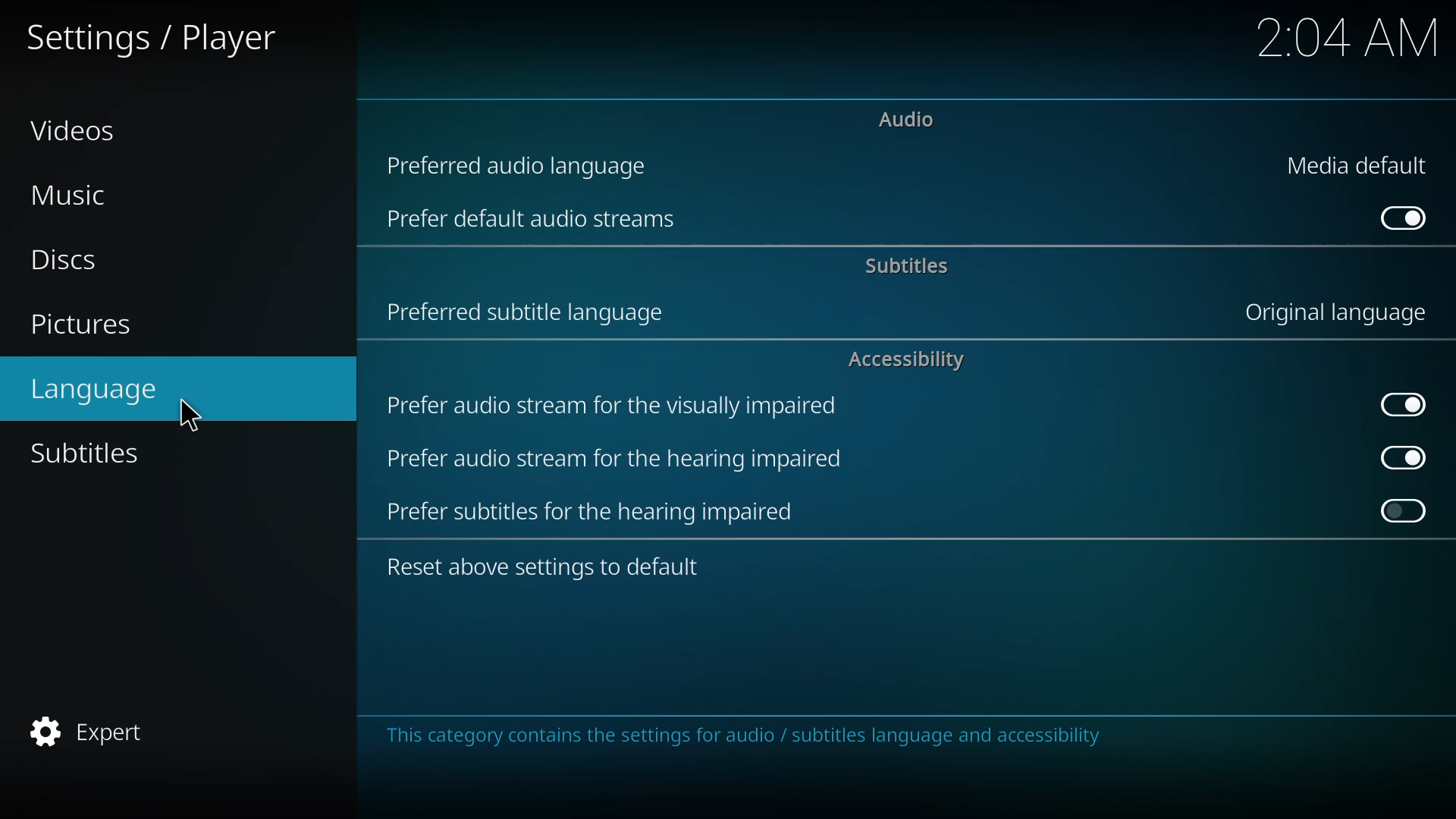  I want to click on click to enable, so click(1401, 516).